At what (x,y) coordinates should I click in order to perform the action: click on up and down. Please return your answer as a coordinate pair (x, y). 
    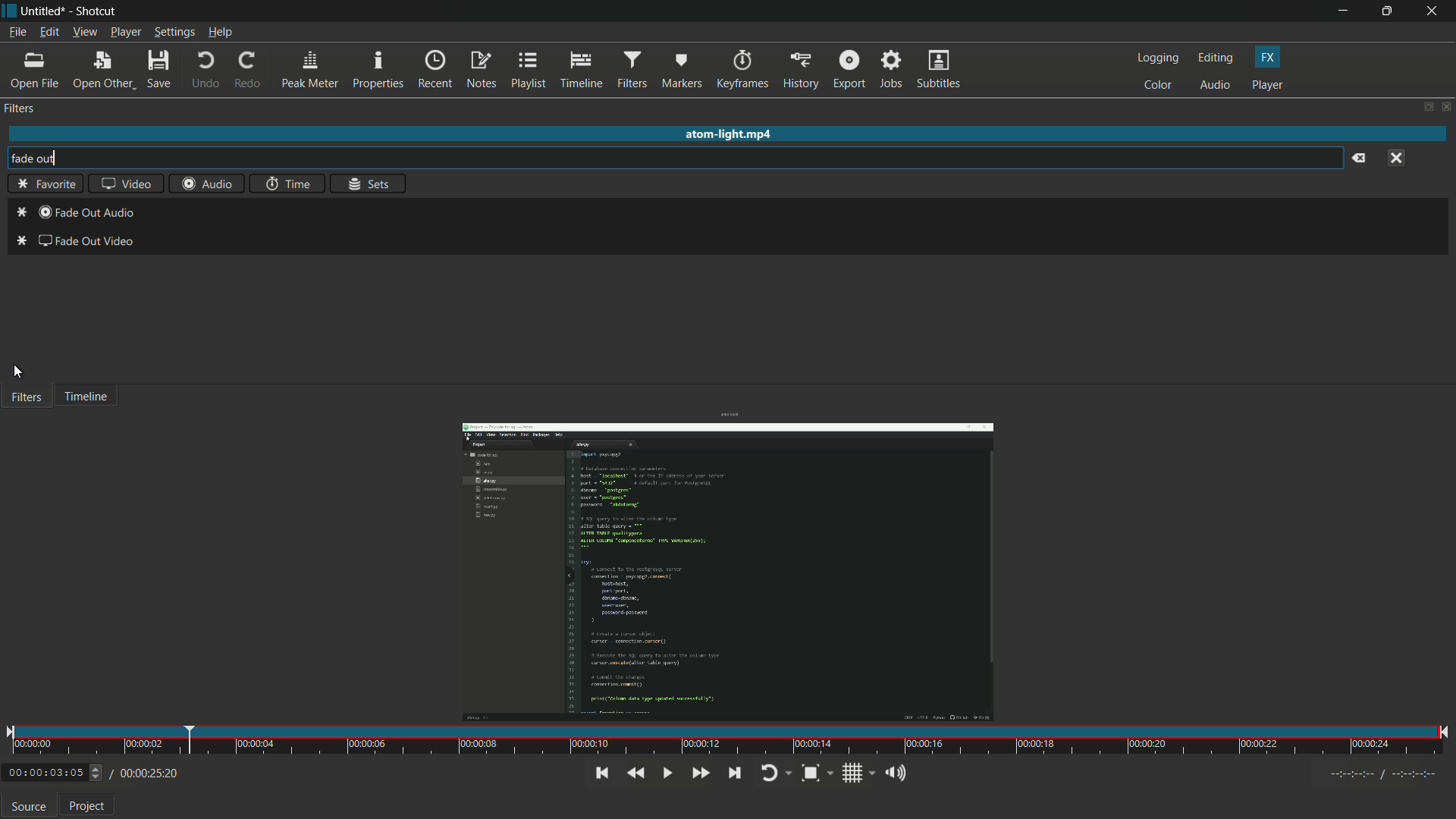
    Looking at the image, I should click on (98, 773).